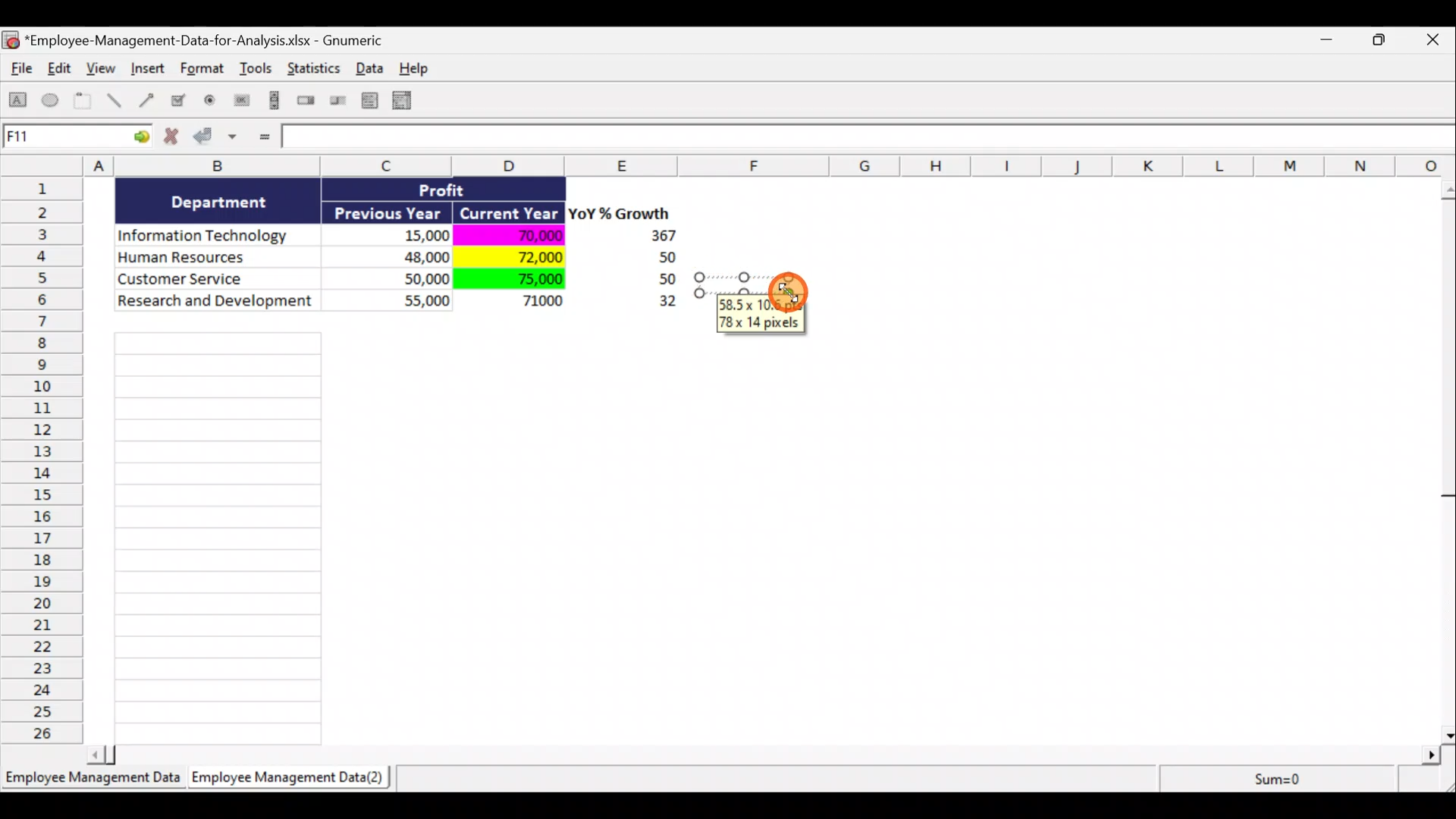 This screenshot has width=1456, height=819. I want to click on Create an arrow object, so click(146, 99).